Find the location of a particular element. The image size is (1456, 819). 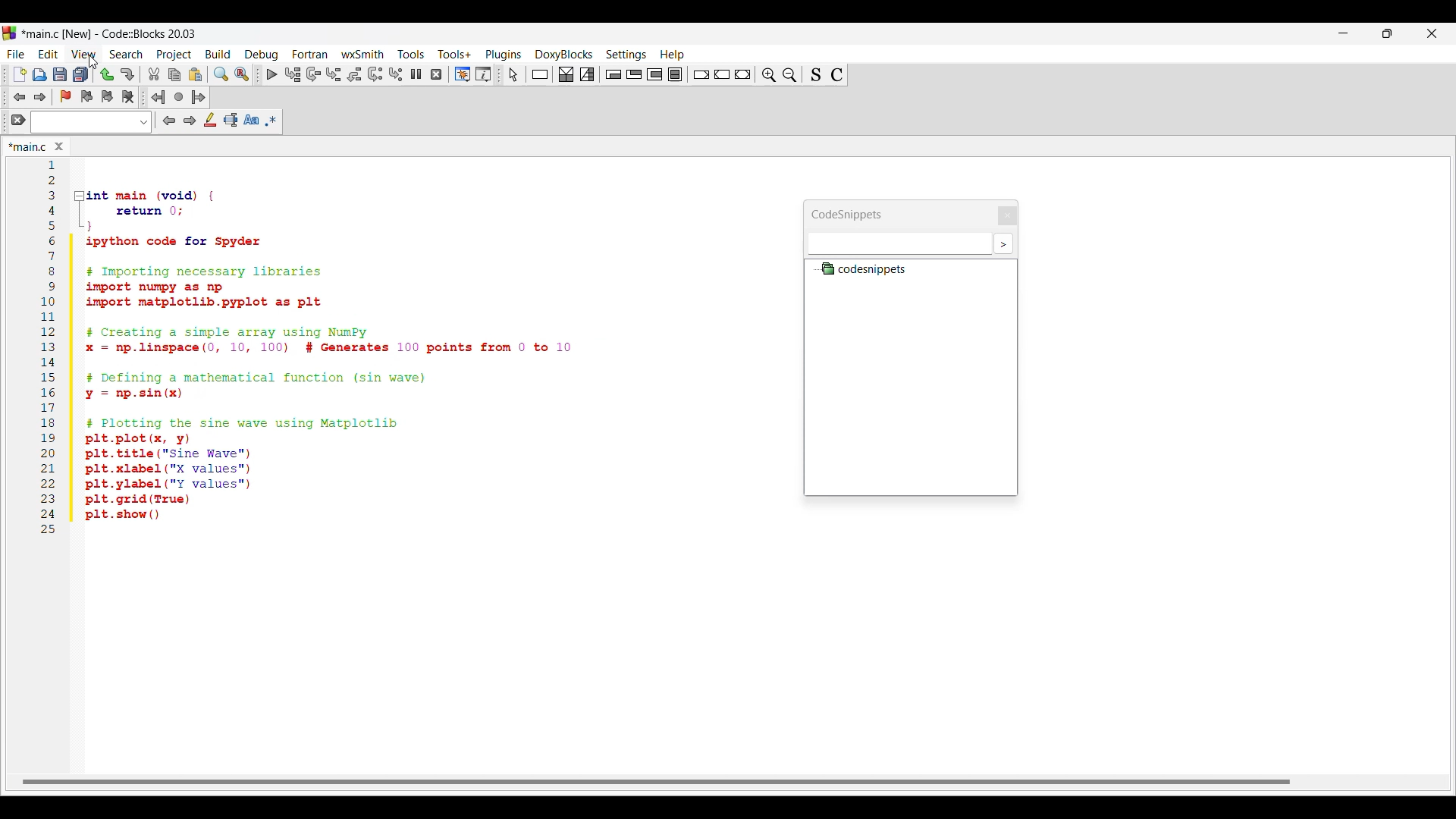

Select is located at coordinates (513, 74).